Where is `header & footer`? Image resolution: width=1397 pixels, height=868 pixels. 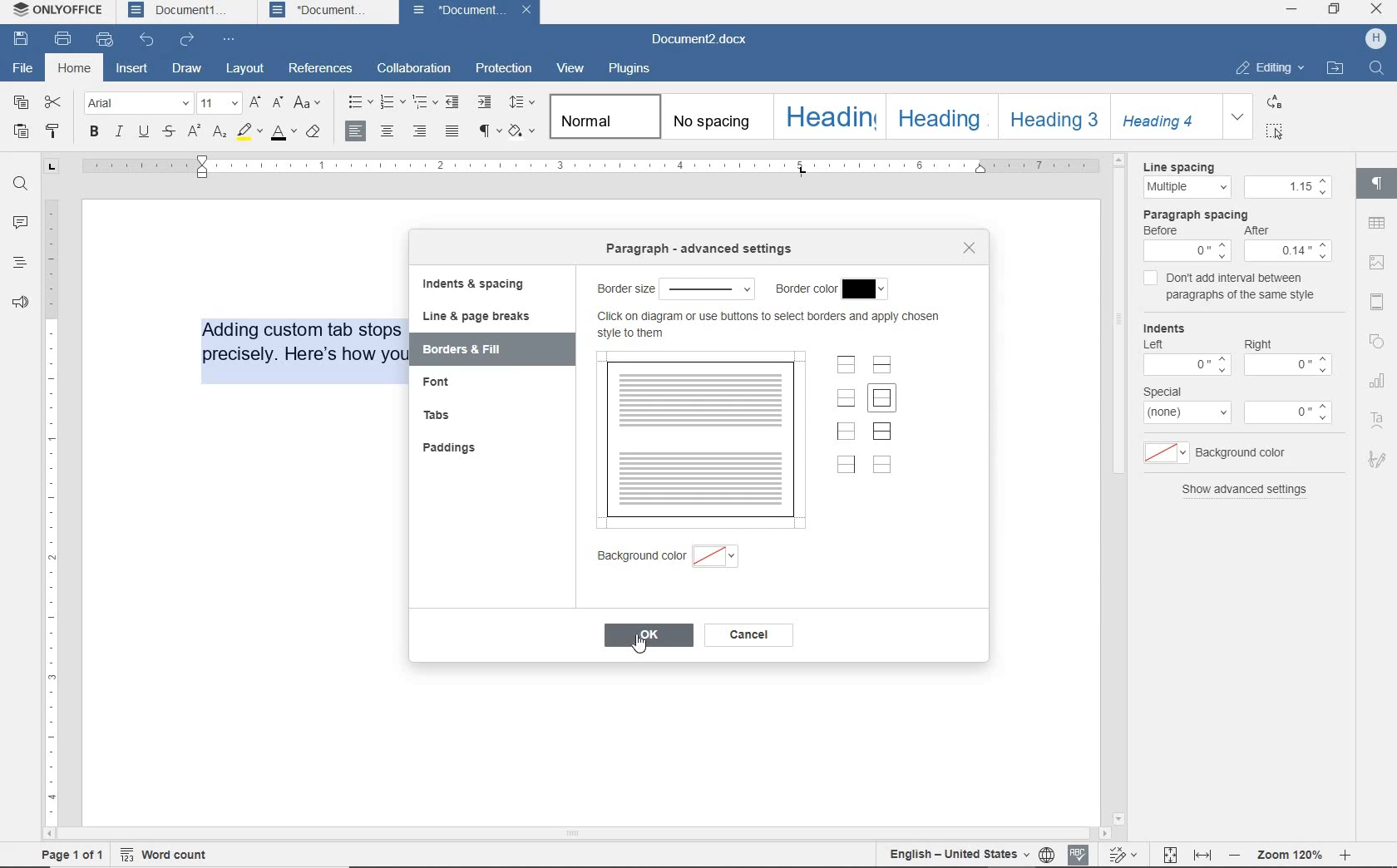
header & footer is located at coordinates (1377, 302).